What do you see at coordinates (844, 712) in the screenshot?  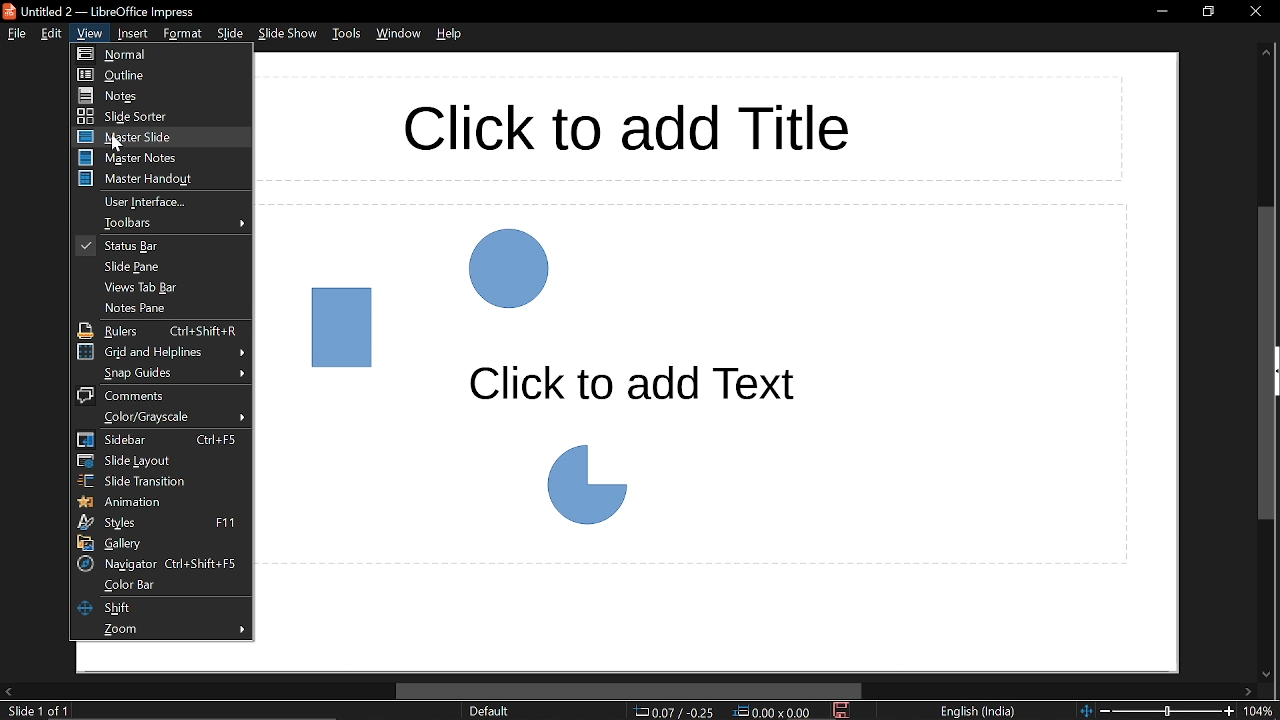 I see `Save` at bounding box center [844, 712].